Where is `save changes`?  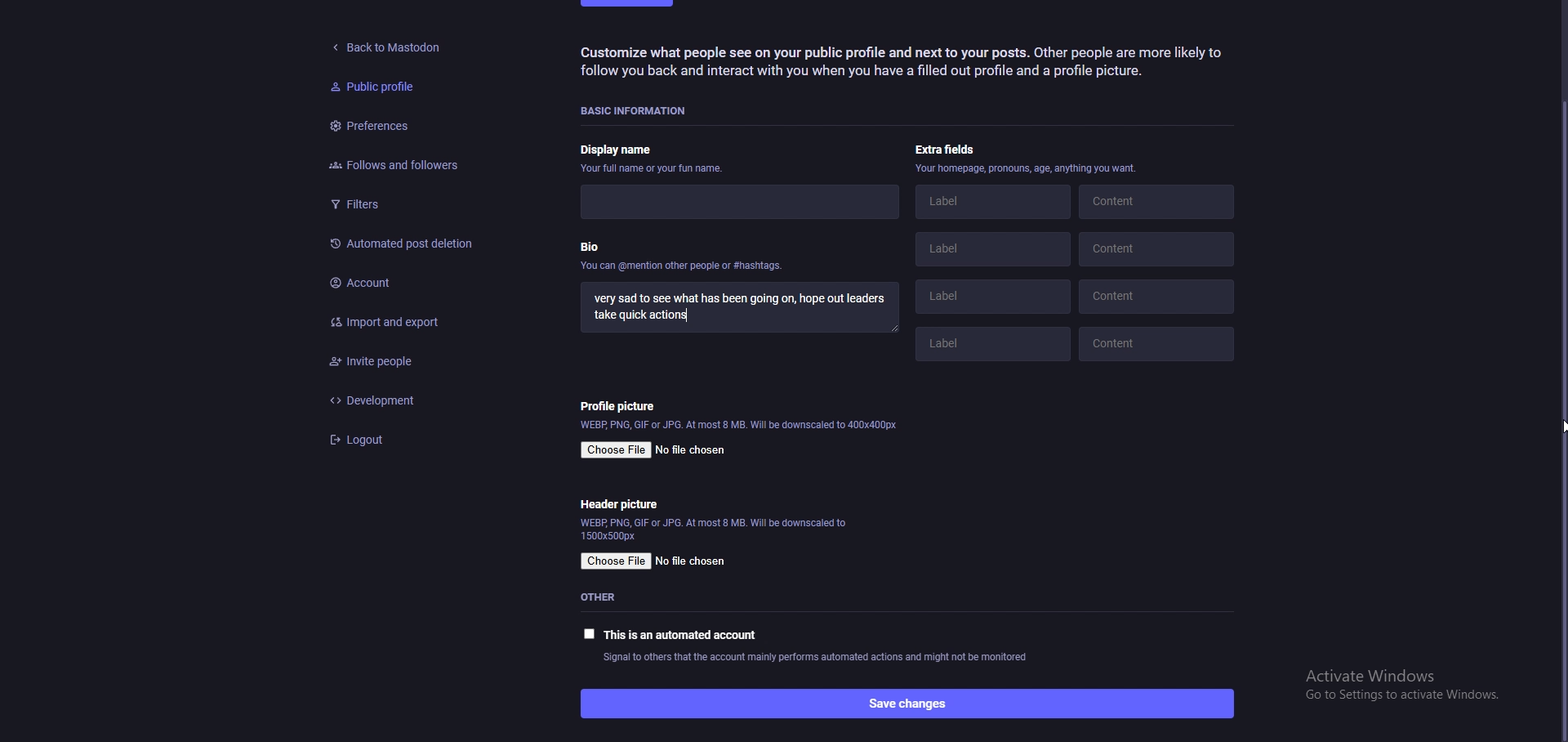 save changes is located at coordinates (906, 703).